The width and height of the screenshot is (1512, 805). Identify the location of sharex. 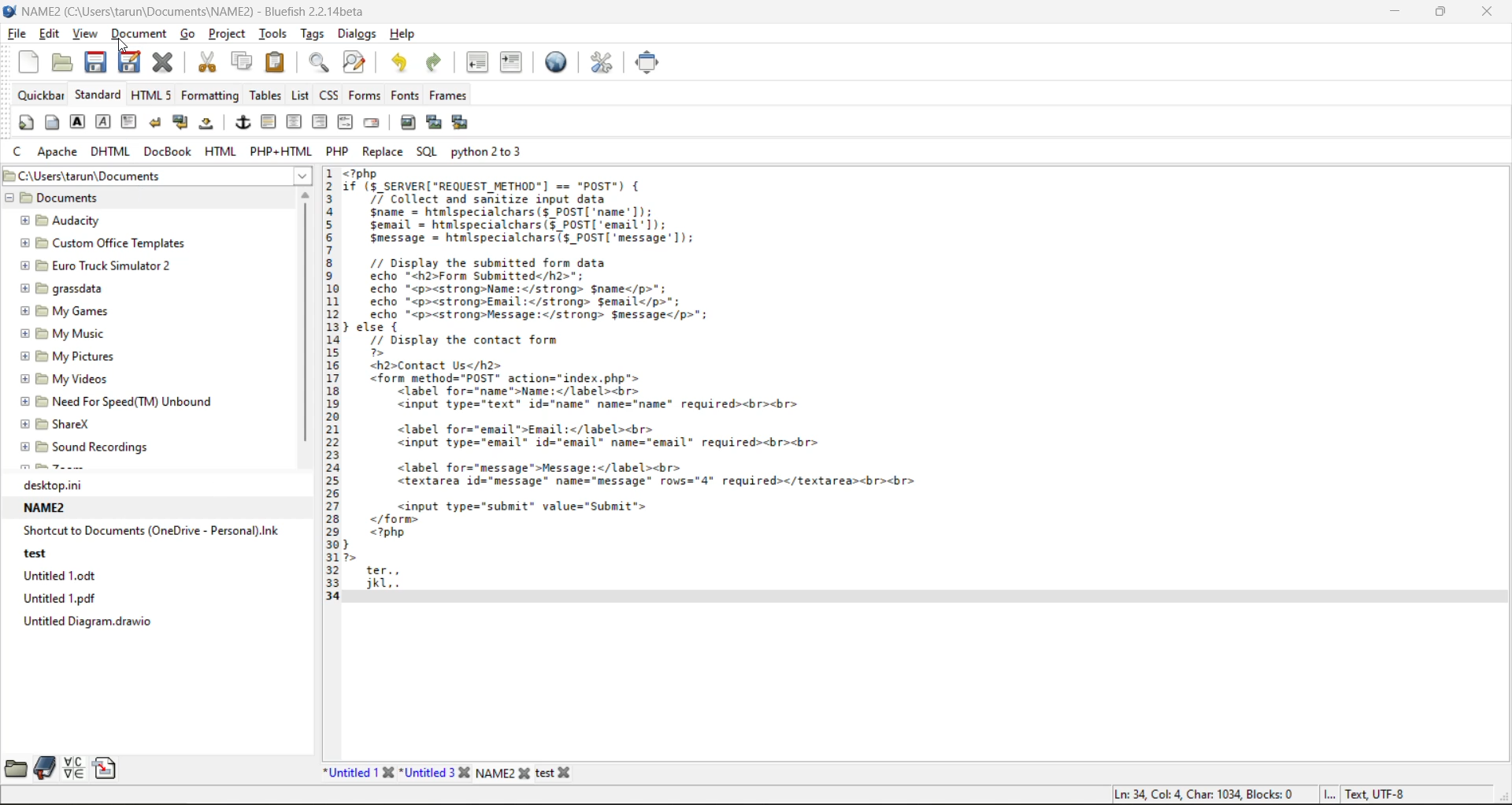
(56, 423).